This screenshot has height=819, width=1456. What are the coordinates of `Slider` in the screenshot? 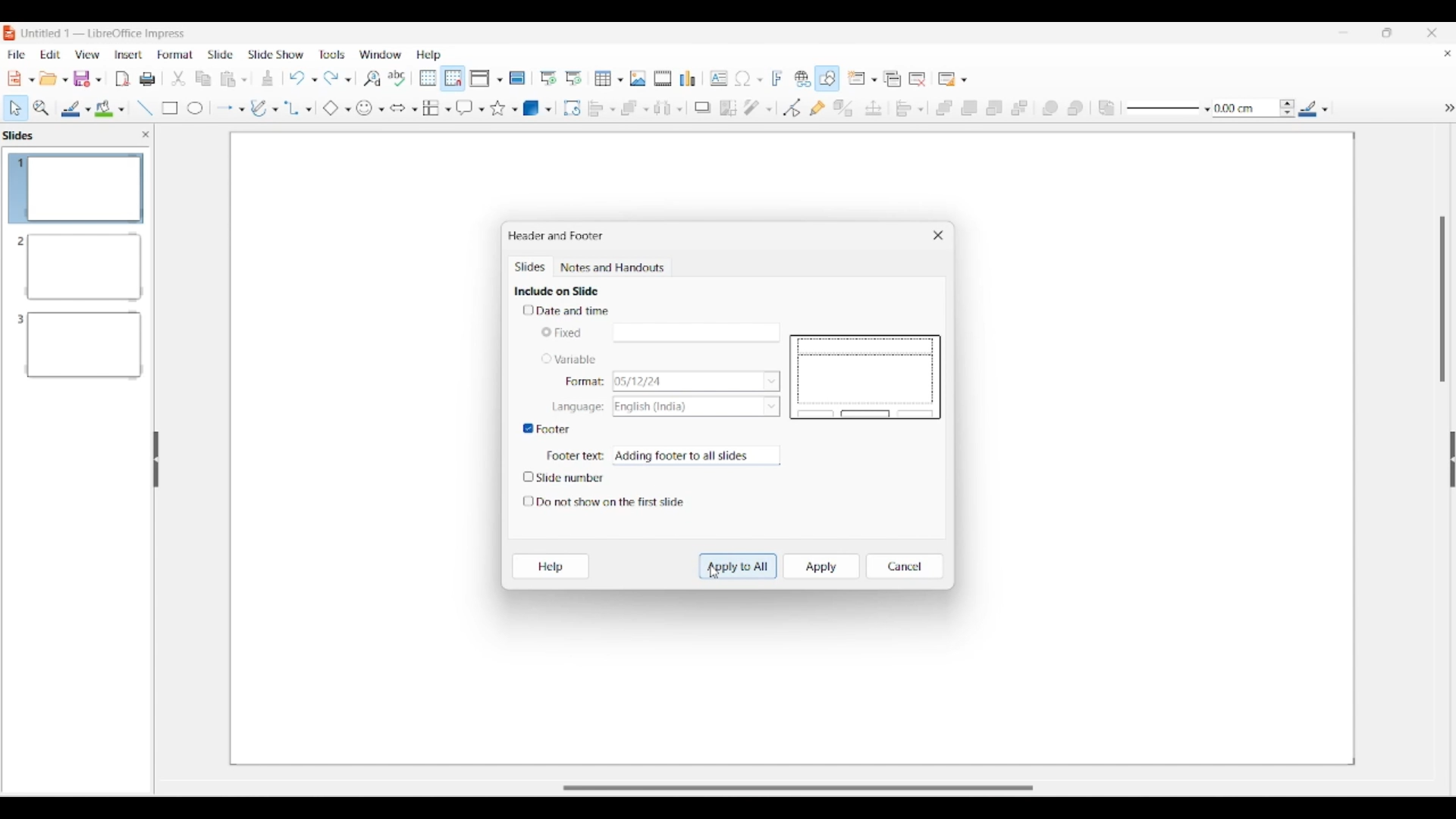 It's located at (797, 785).